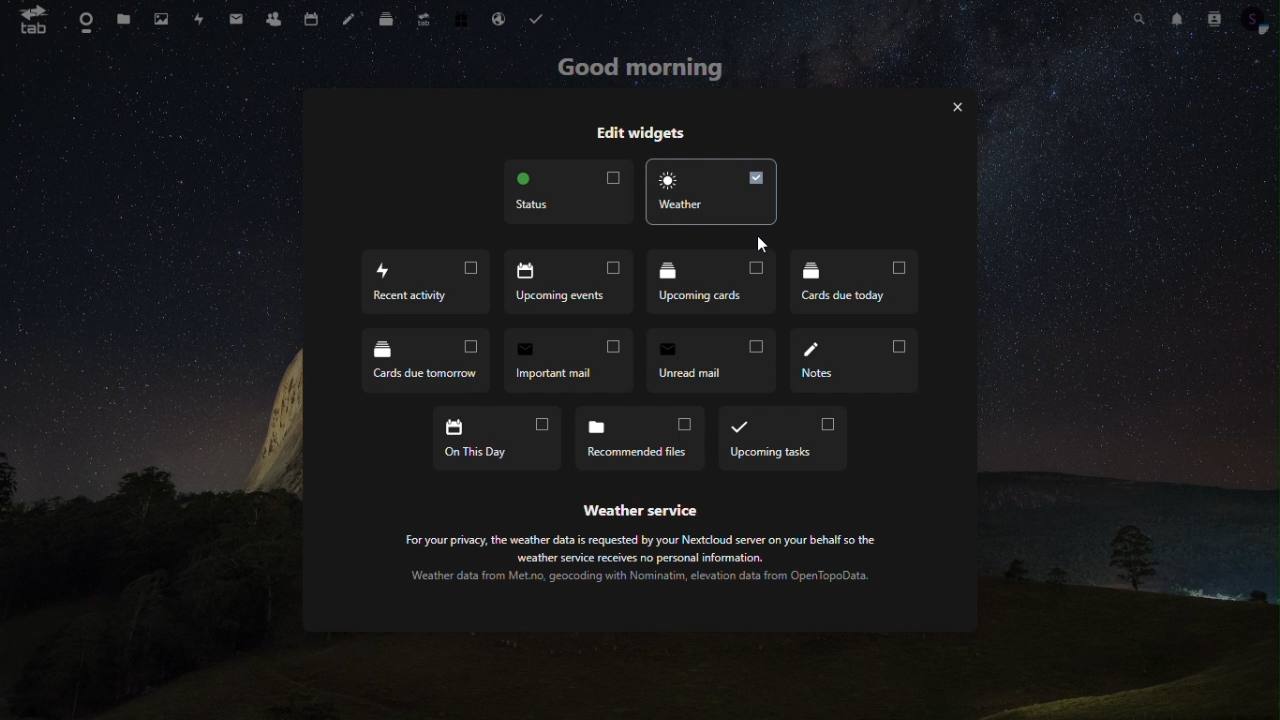 The height and width of the screenshot is (720, 1280). Describe the element at coordinates (535, 20) in the screenshot. I see `tasks` at that location.